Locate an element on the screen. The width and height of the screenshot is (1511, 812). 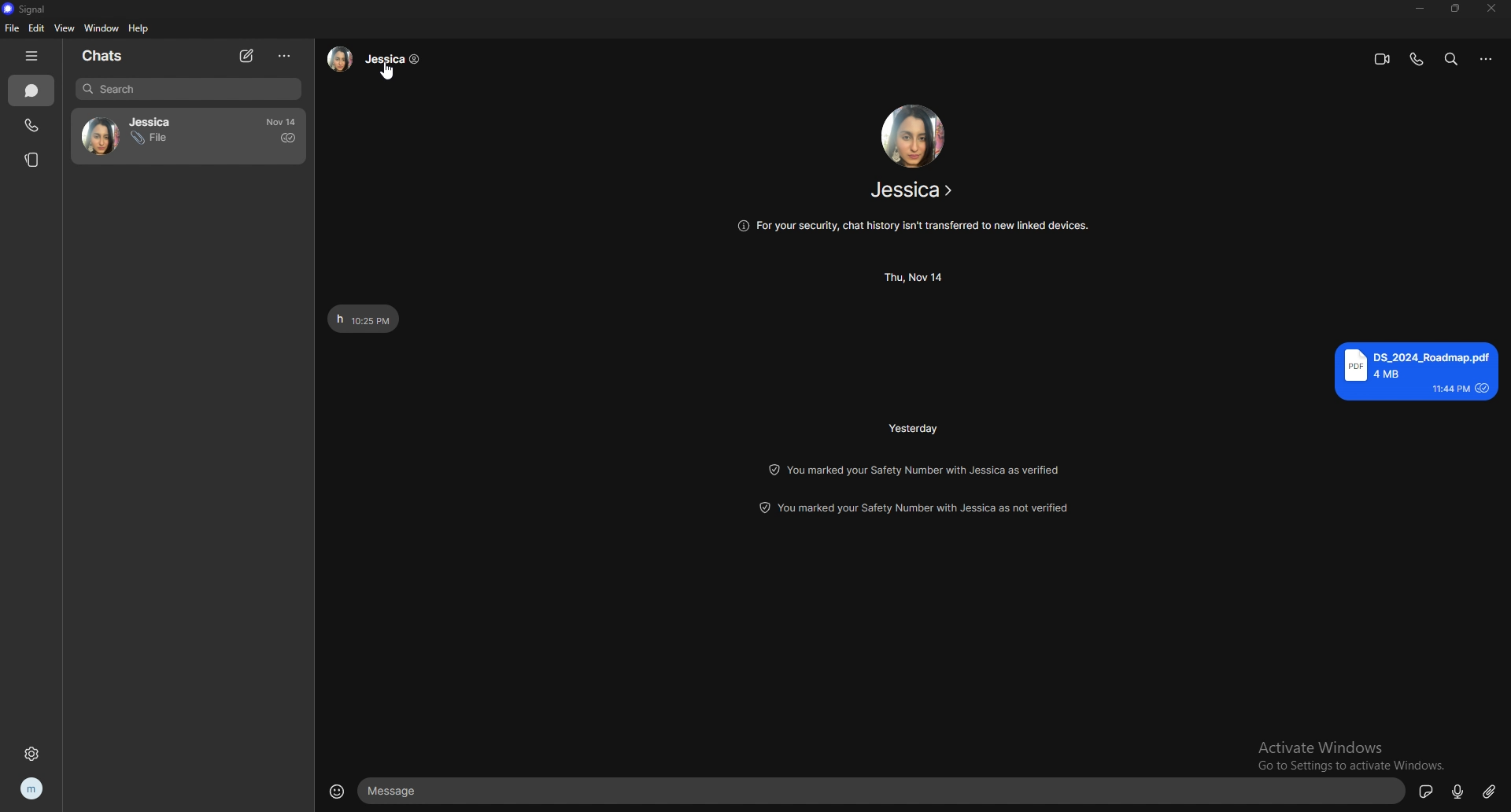
text is located at coordinates (365, 316).